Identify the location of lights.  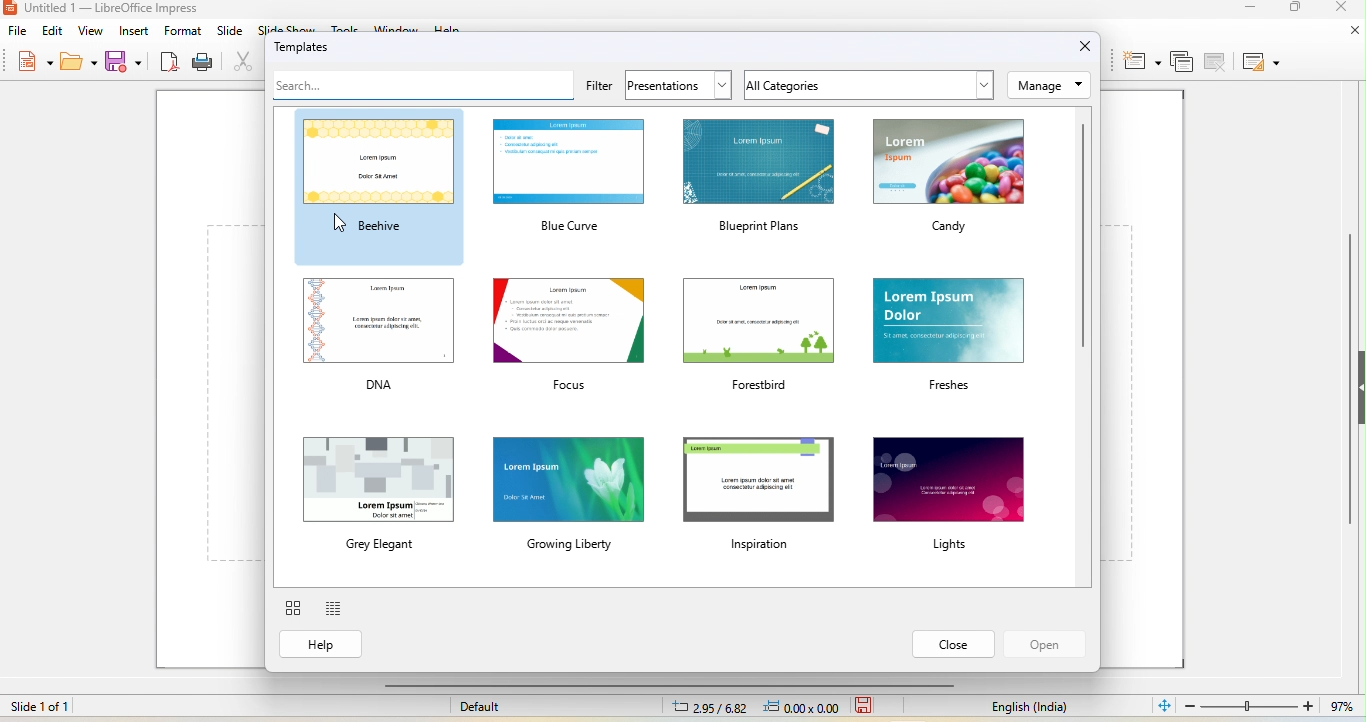
(951, 493).